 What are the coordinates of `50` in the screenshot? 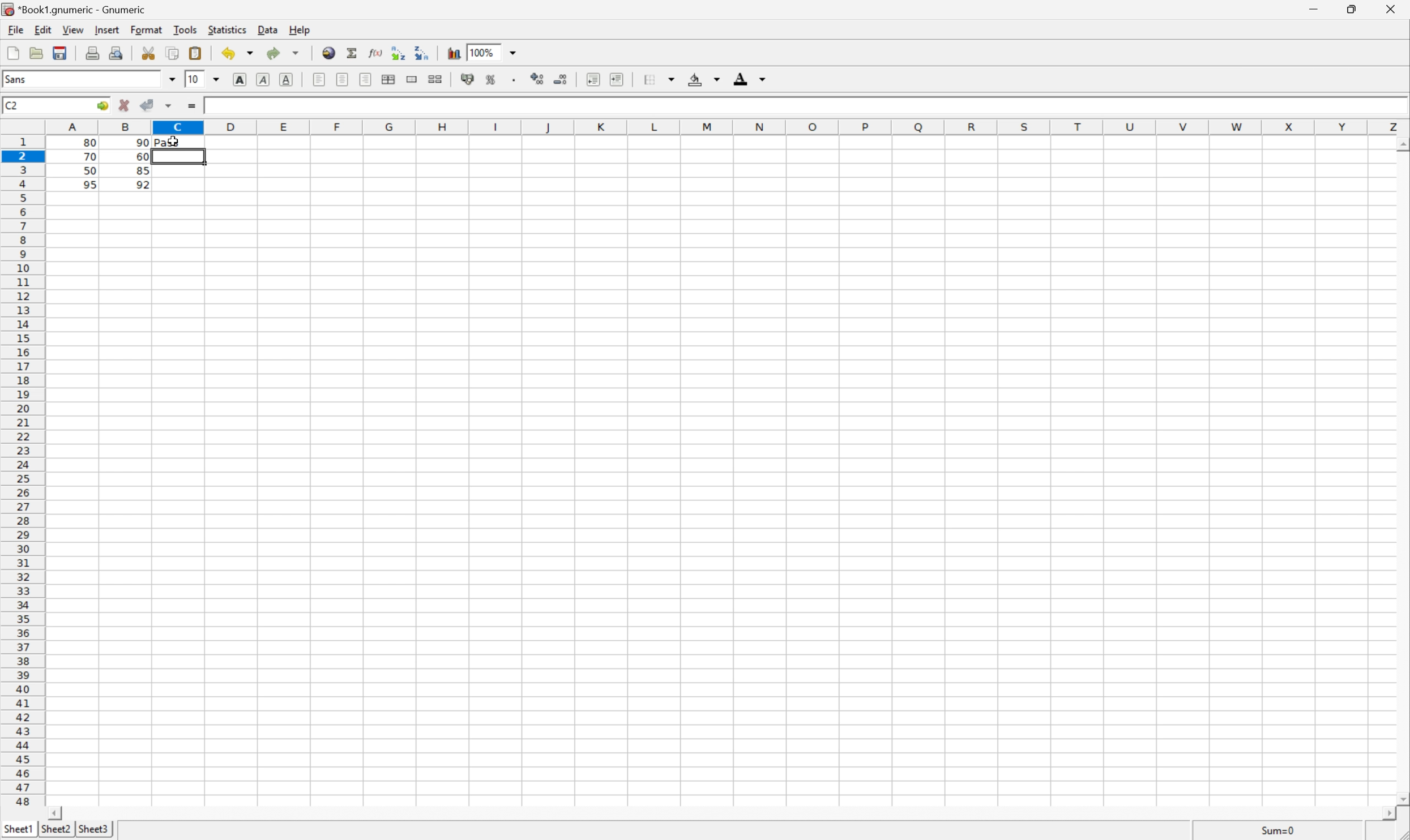 It's located at (87, 172).